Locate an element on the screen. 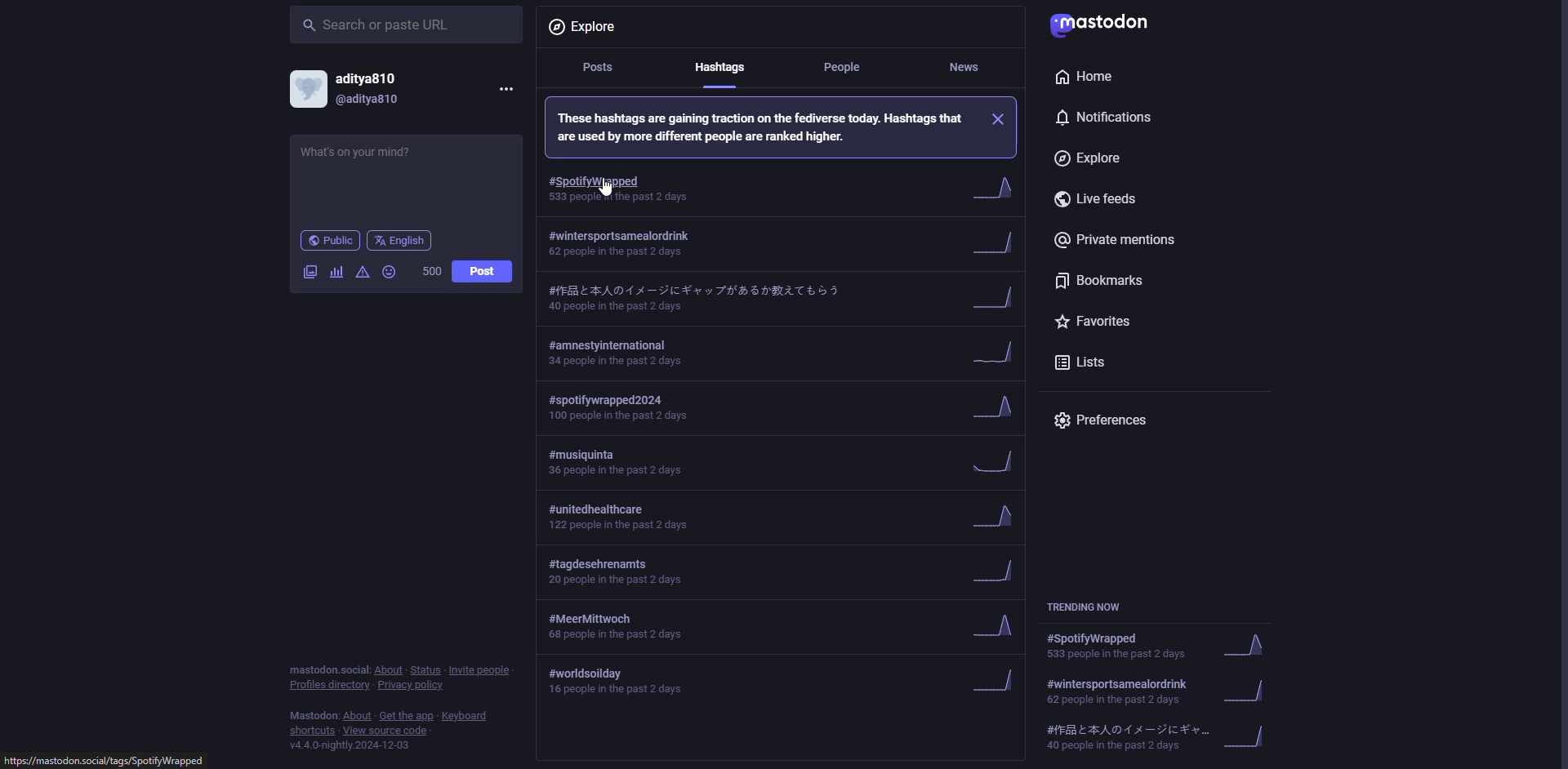 This screenshot has height=769, width=1568. post is located at coordinates (804, 741).